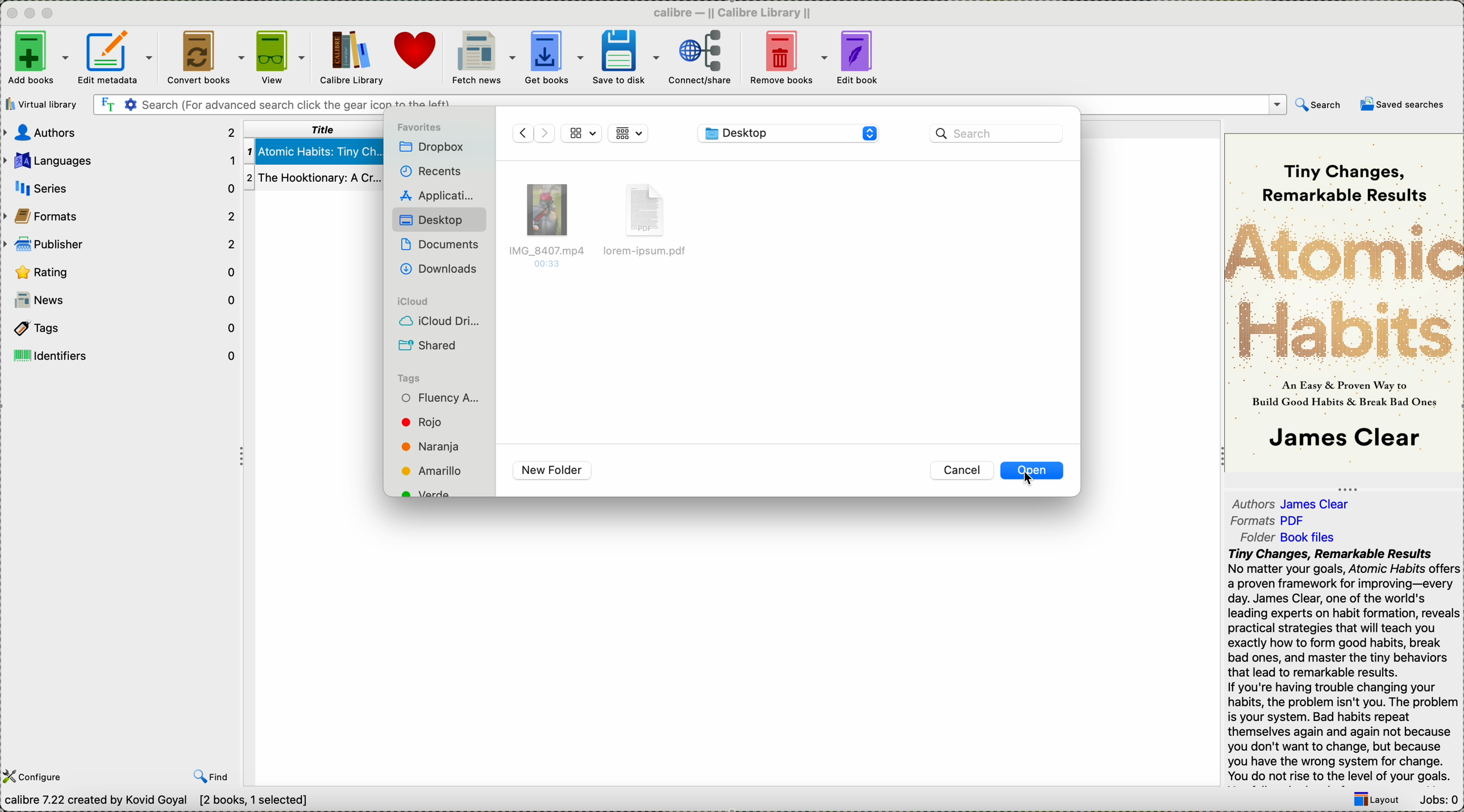 Image resolution: width=1464 pixels, height=812 pixels. What do you see at coordinates (701, 58) in the screenshot?
I see `connect/share` at bounding box center [701, 58].